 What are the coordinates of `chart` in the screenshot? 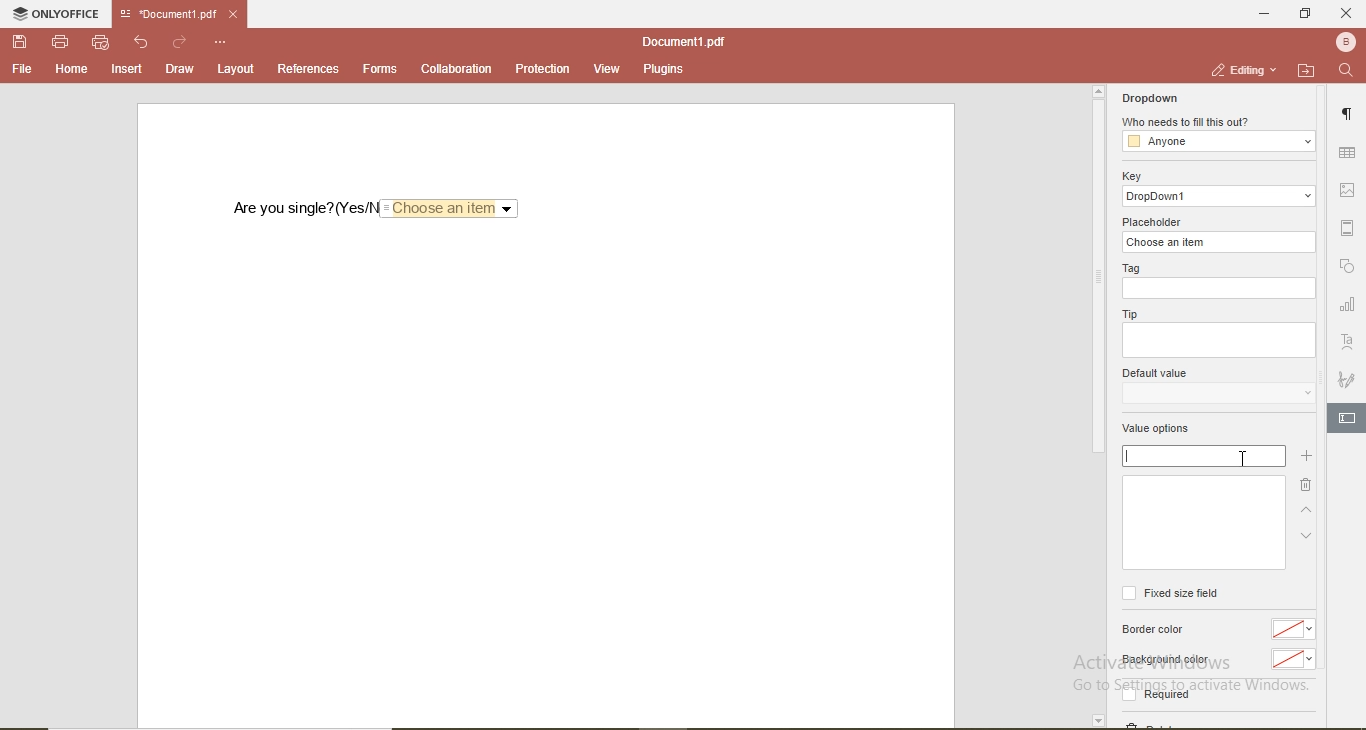 It's located at (1348, 304).